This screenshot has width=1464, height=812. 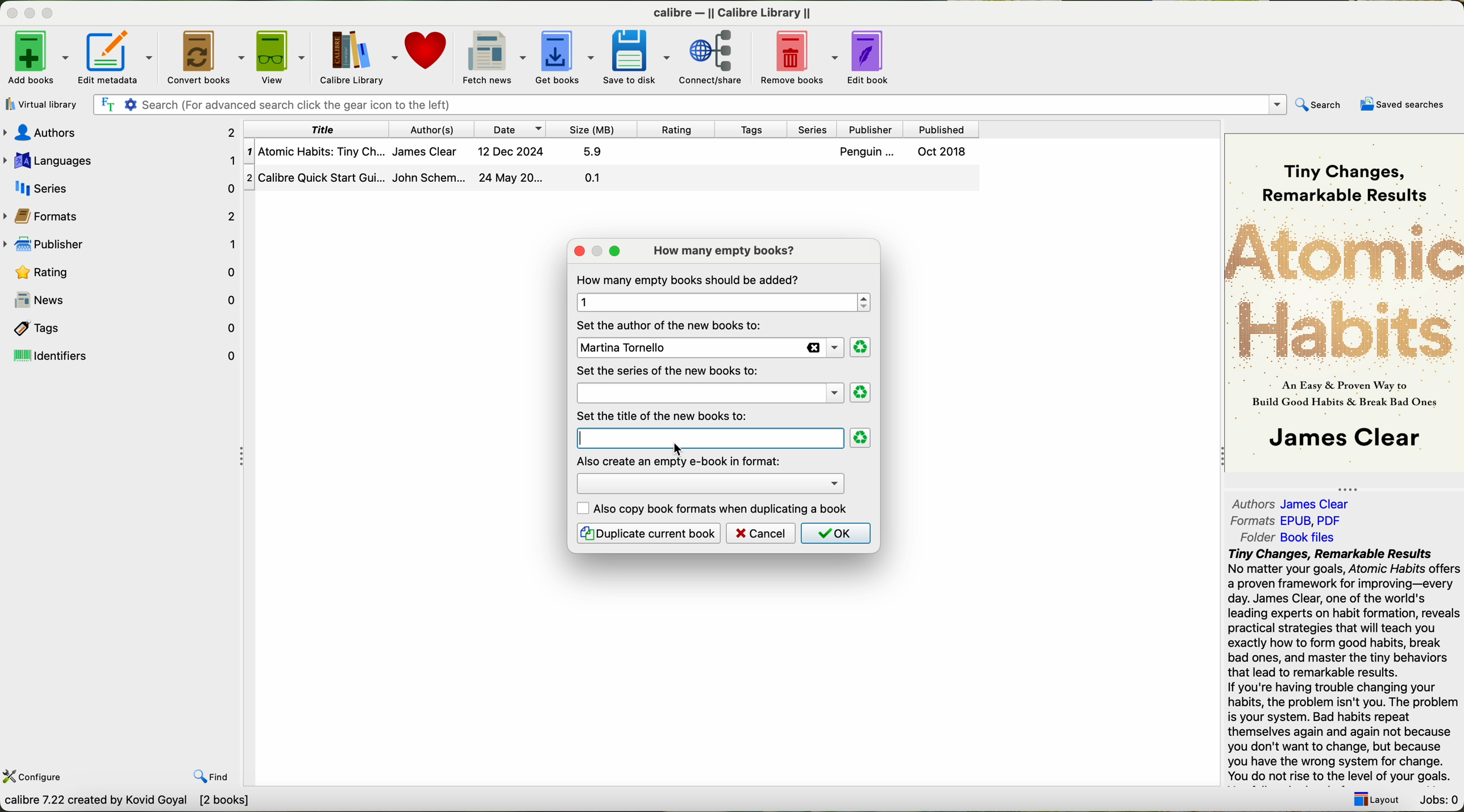 I want to click on save to disk, so click(x=637, y=57).